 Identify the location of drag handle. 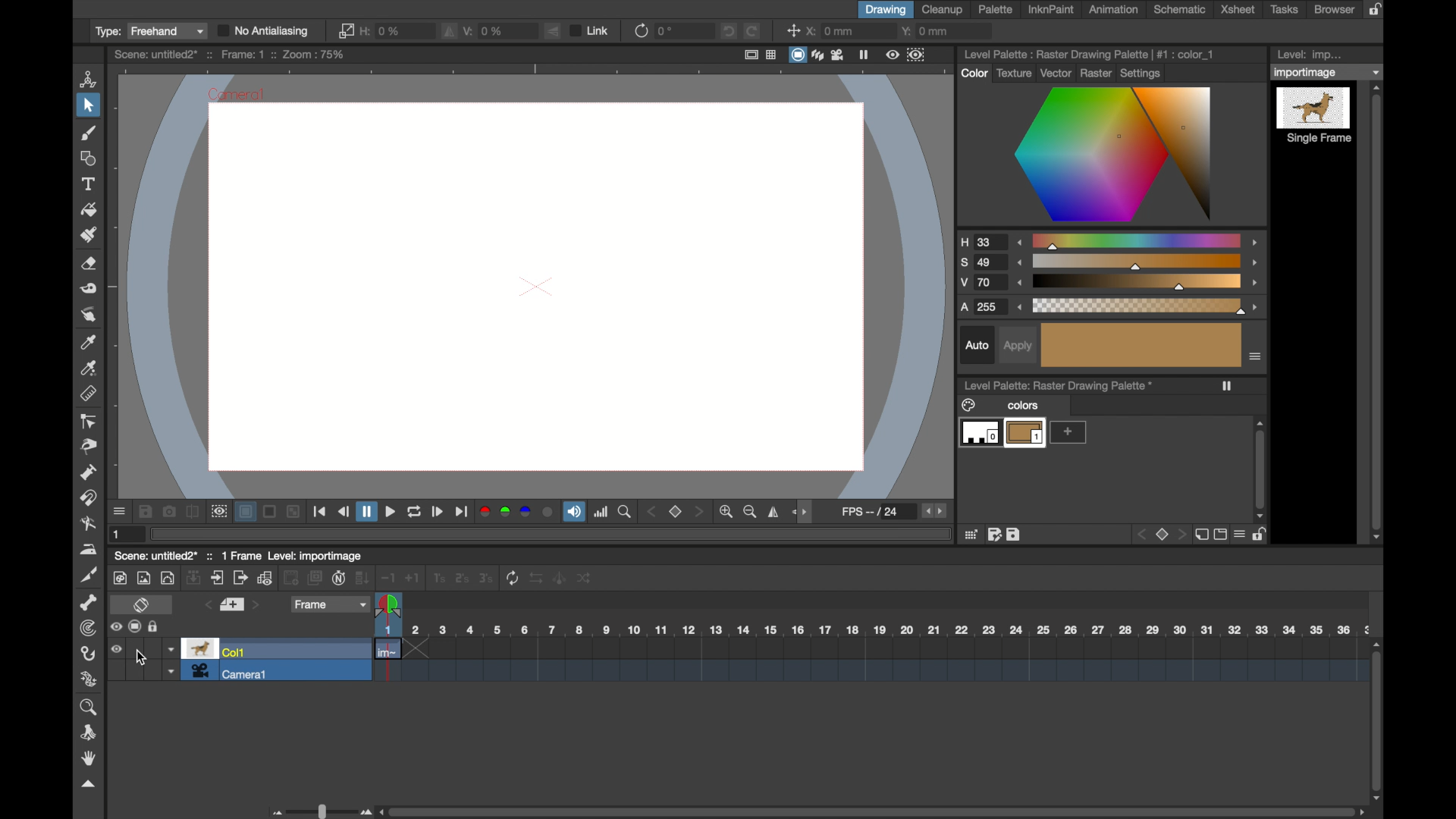
(88, 785).